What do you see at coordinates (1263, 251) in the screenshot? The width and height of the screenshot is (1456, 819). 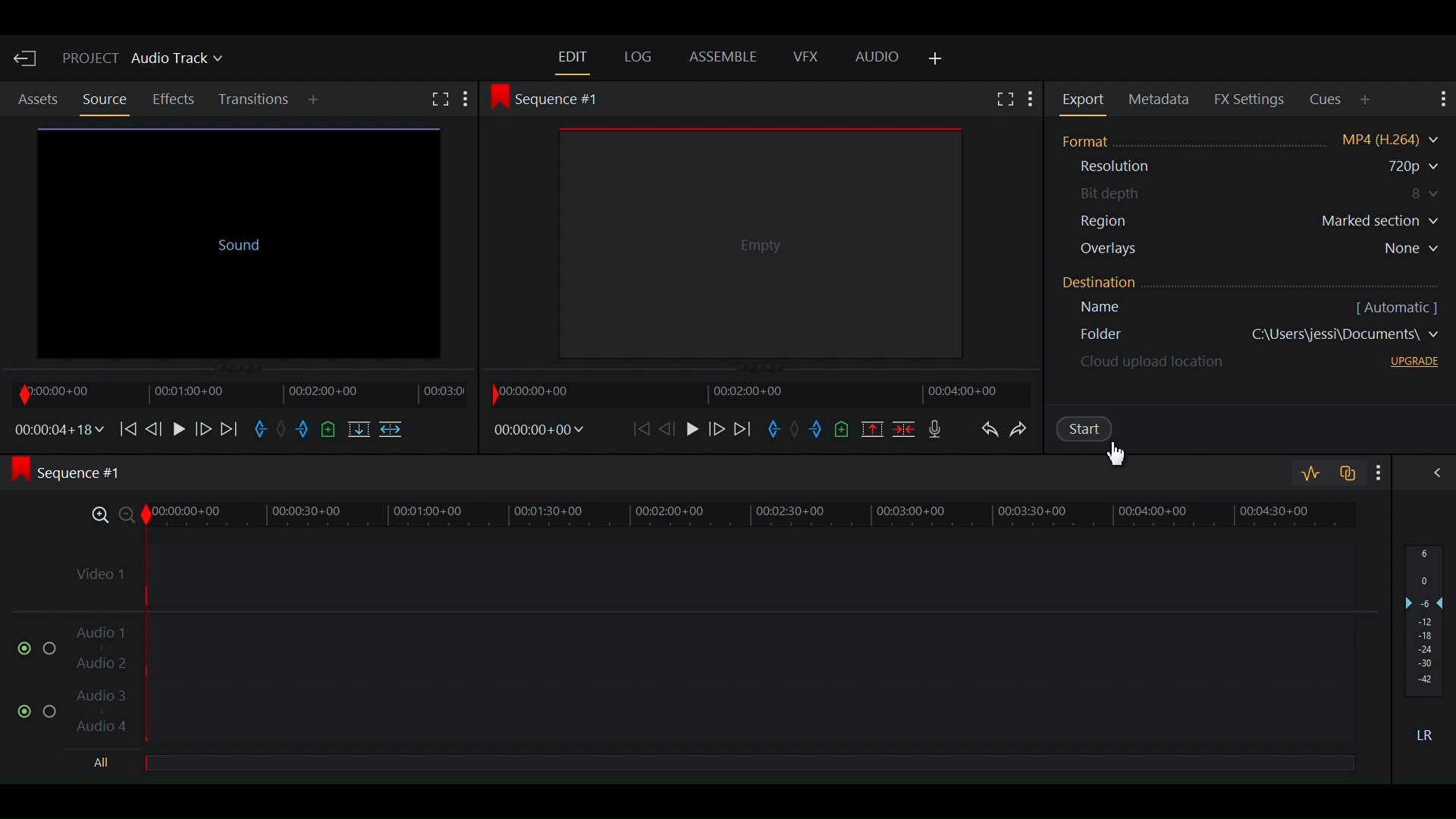 I see `Overlays` at bounding box center [1263, 251].